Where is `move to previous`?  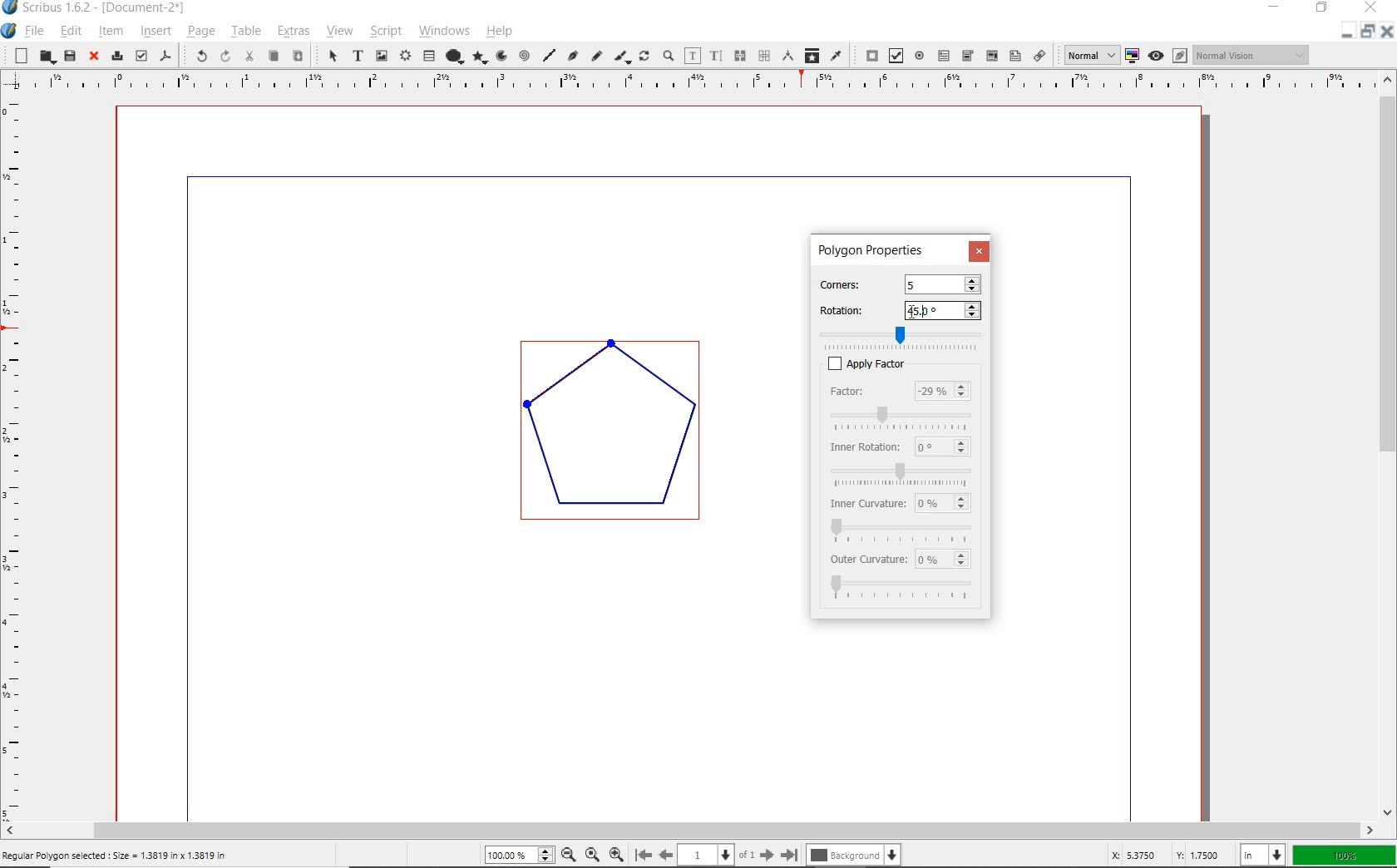
move to previous is located at coordinates (672, 854).